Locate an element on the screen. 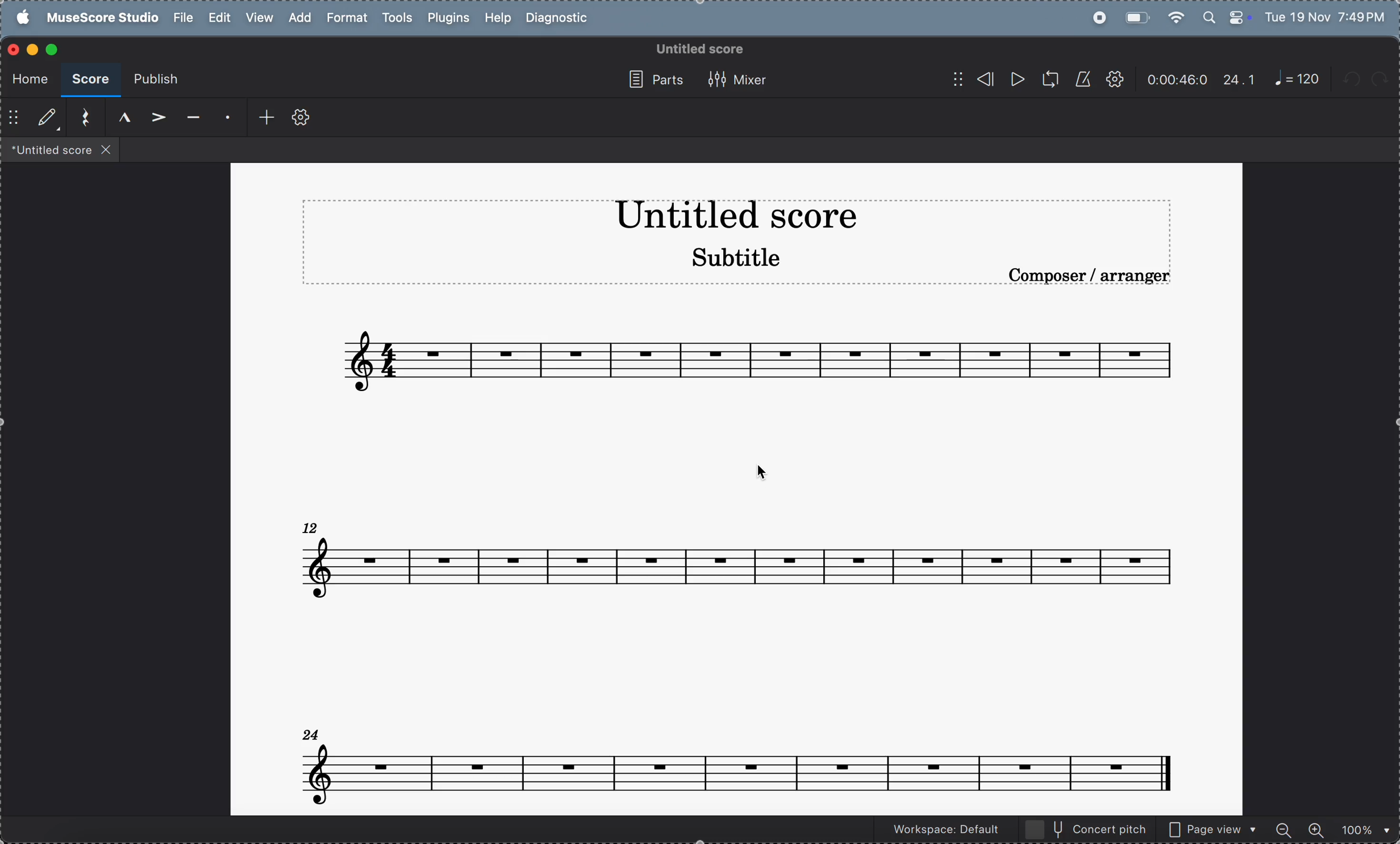  closing is located at coordinates (14, 50).